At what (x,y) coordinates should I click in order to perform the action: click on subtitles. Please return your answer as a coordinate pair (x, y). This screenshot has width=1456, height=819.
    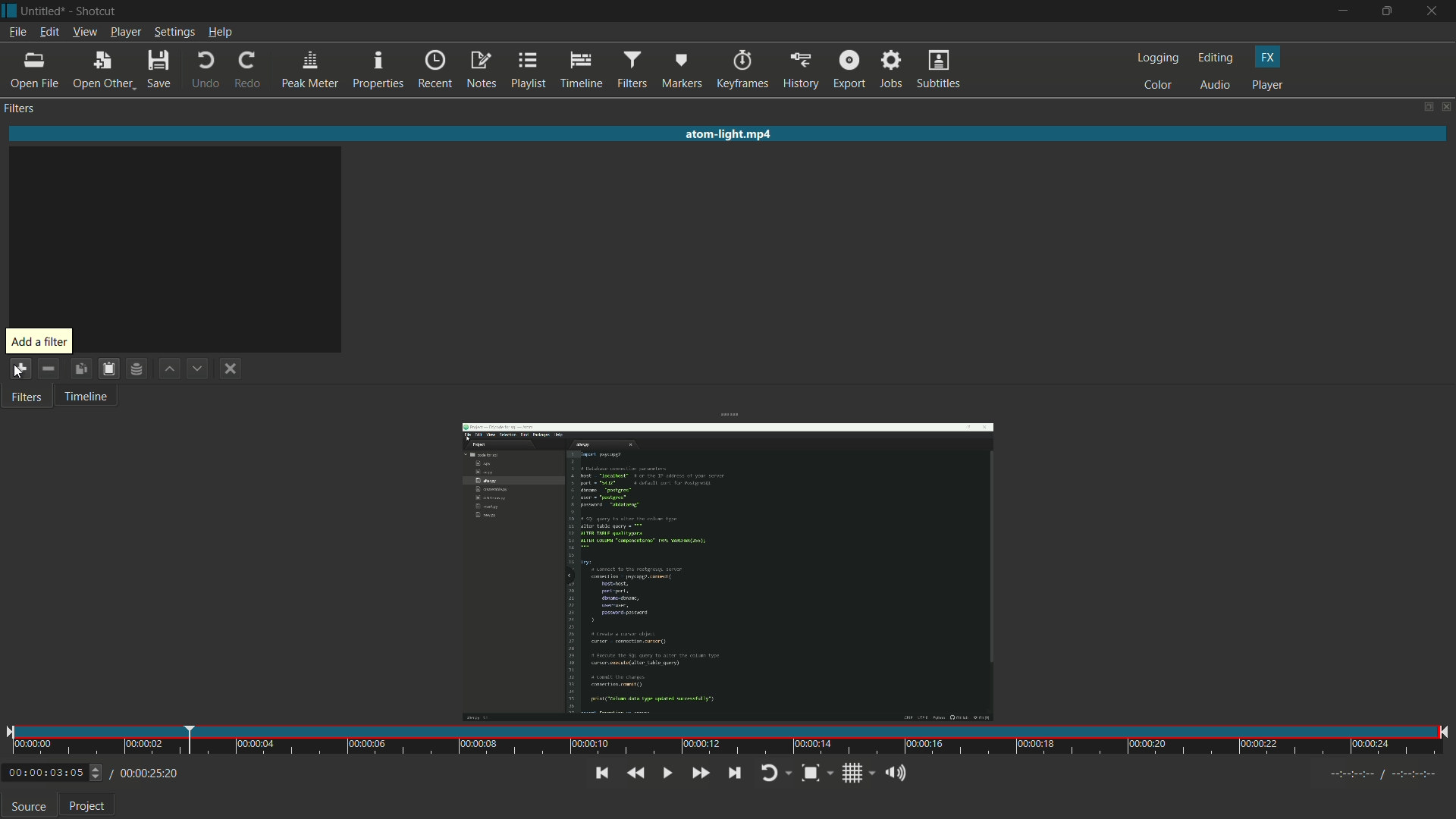
    Looking at the image, I should click on (938, 69).